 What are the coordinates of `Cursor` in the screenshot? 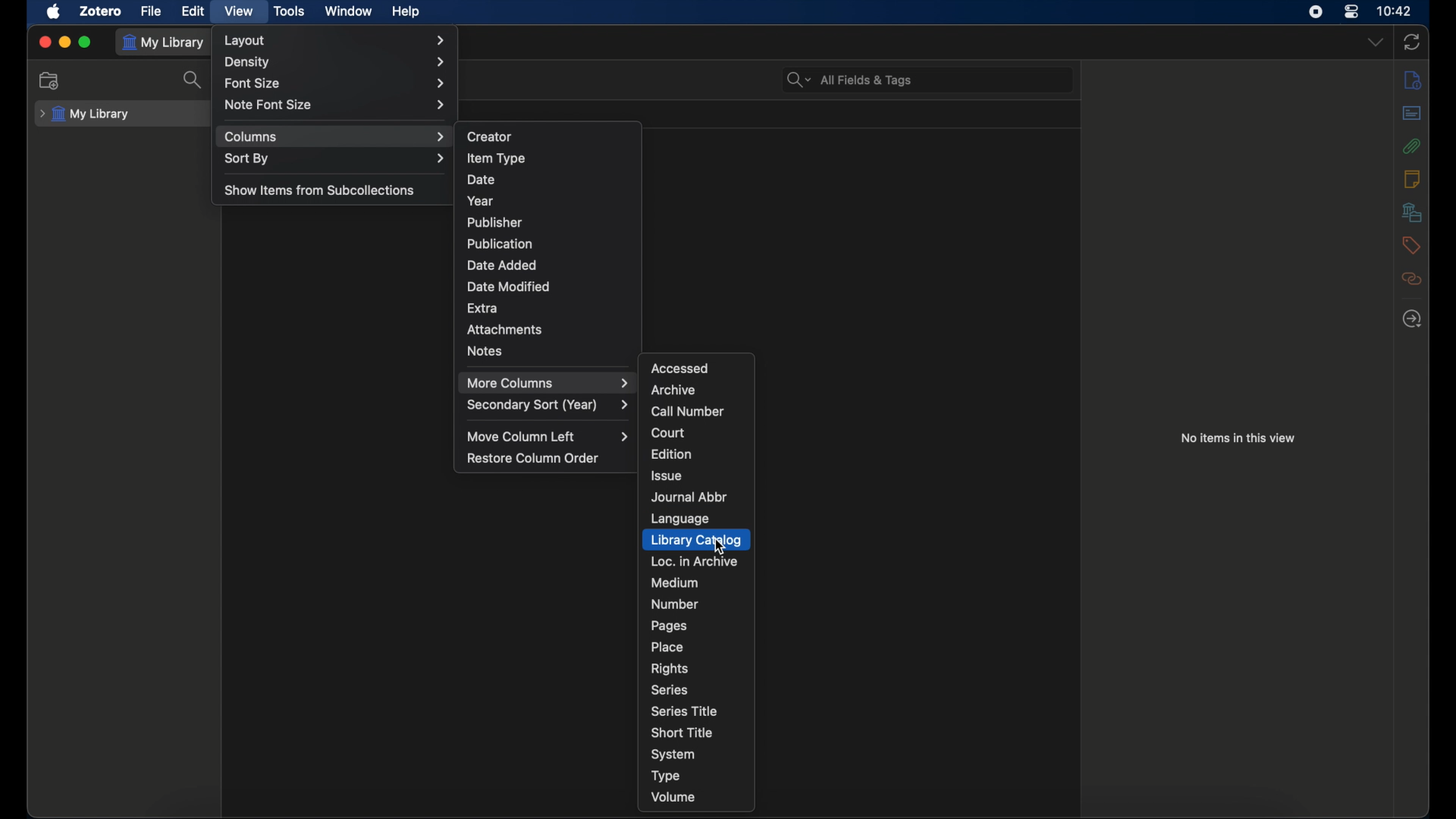 It's located at (723, 548).